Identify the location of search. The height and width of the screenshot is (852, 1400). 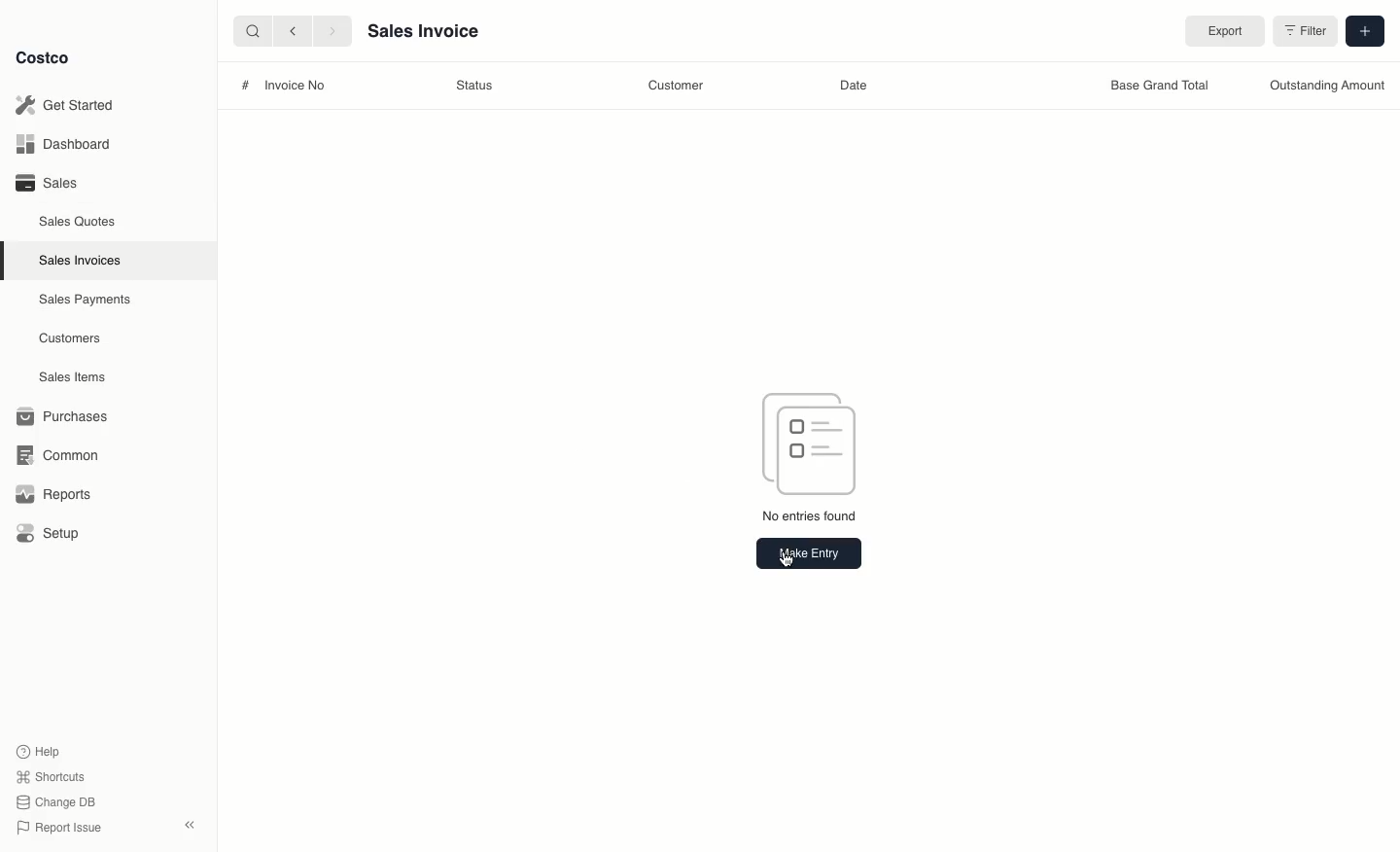
(249, 30).